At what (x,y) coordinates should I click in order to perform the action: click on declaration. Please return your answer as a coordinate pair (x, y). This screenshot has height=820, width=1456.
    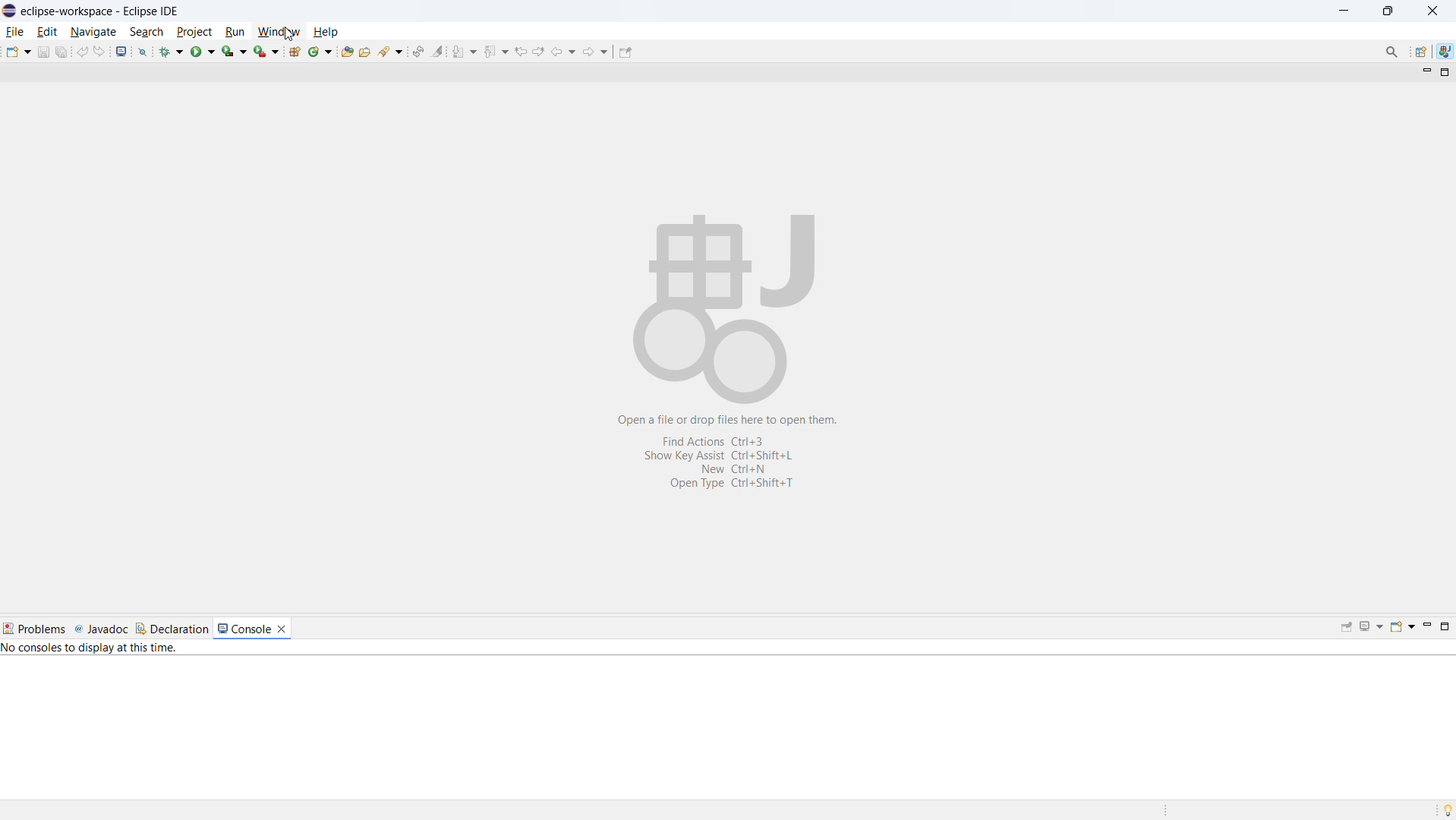
    Looking at the image, I should click on (172, 628).